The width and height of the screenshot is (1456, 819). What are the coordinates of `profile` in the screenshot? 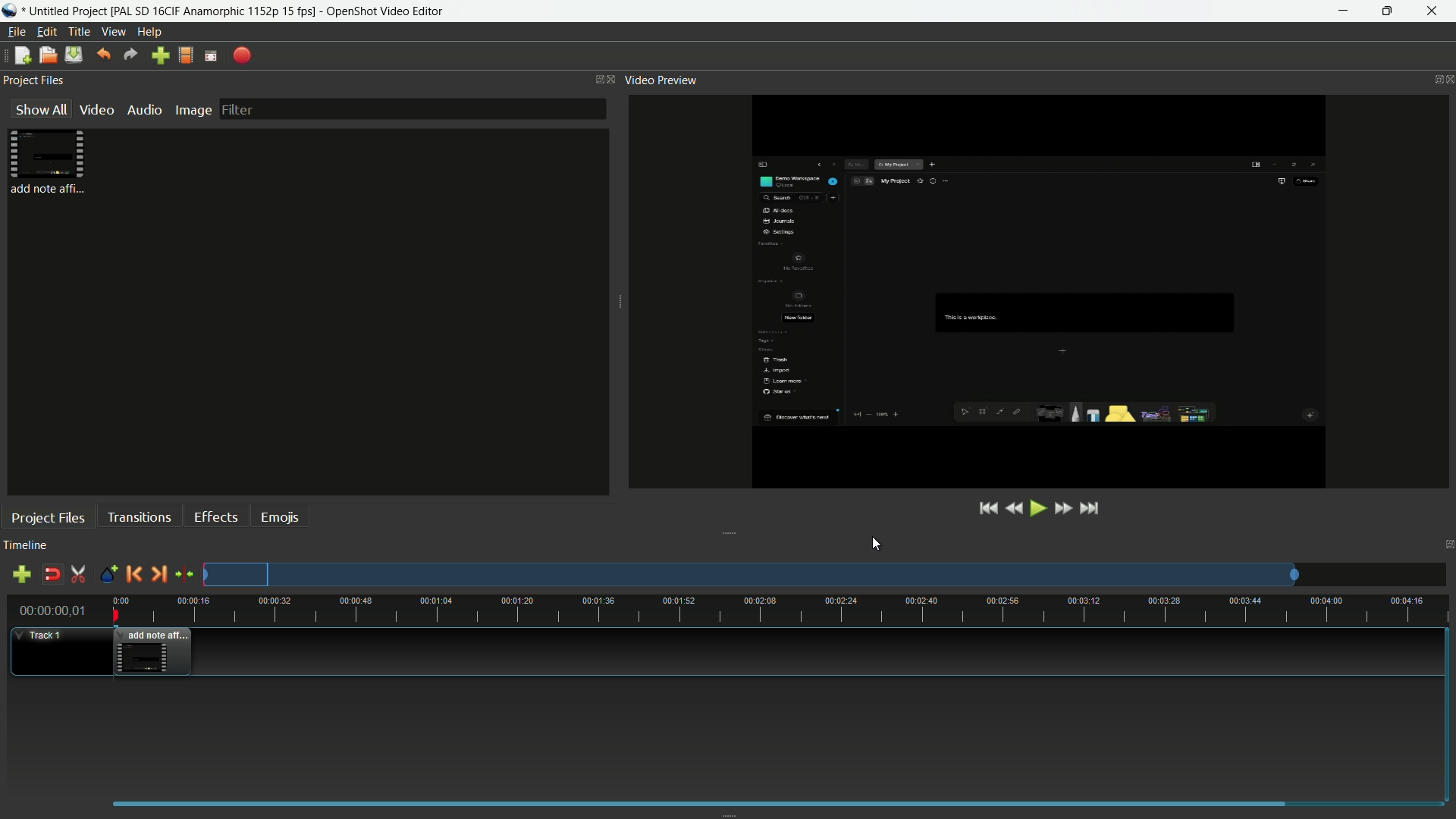 It's located at (185, 55).